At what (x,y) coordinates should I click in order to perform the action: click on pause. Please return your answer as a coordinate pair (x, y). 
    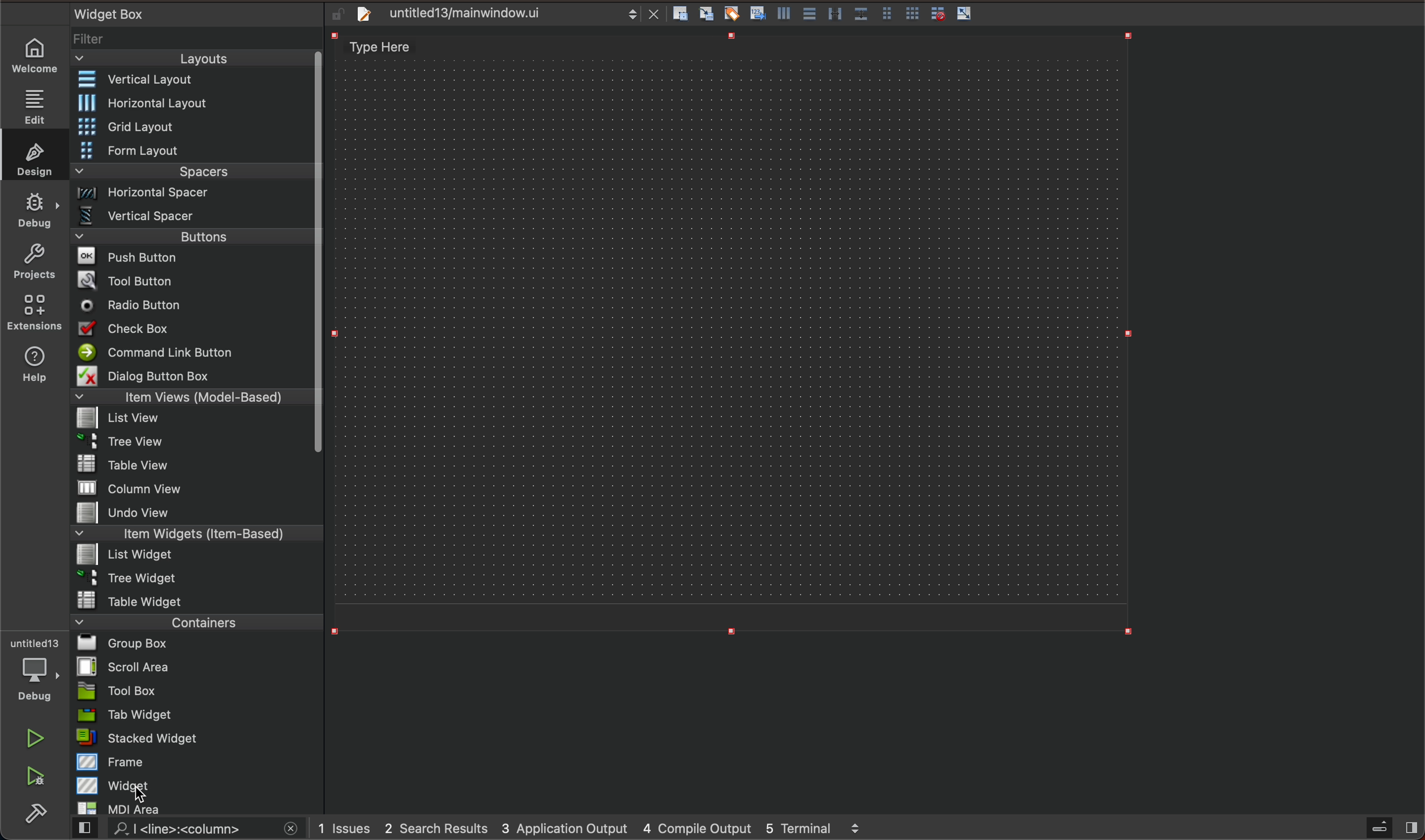
    Looking at the image, I should click on (36, 738).